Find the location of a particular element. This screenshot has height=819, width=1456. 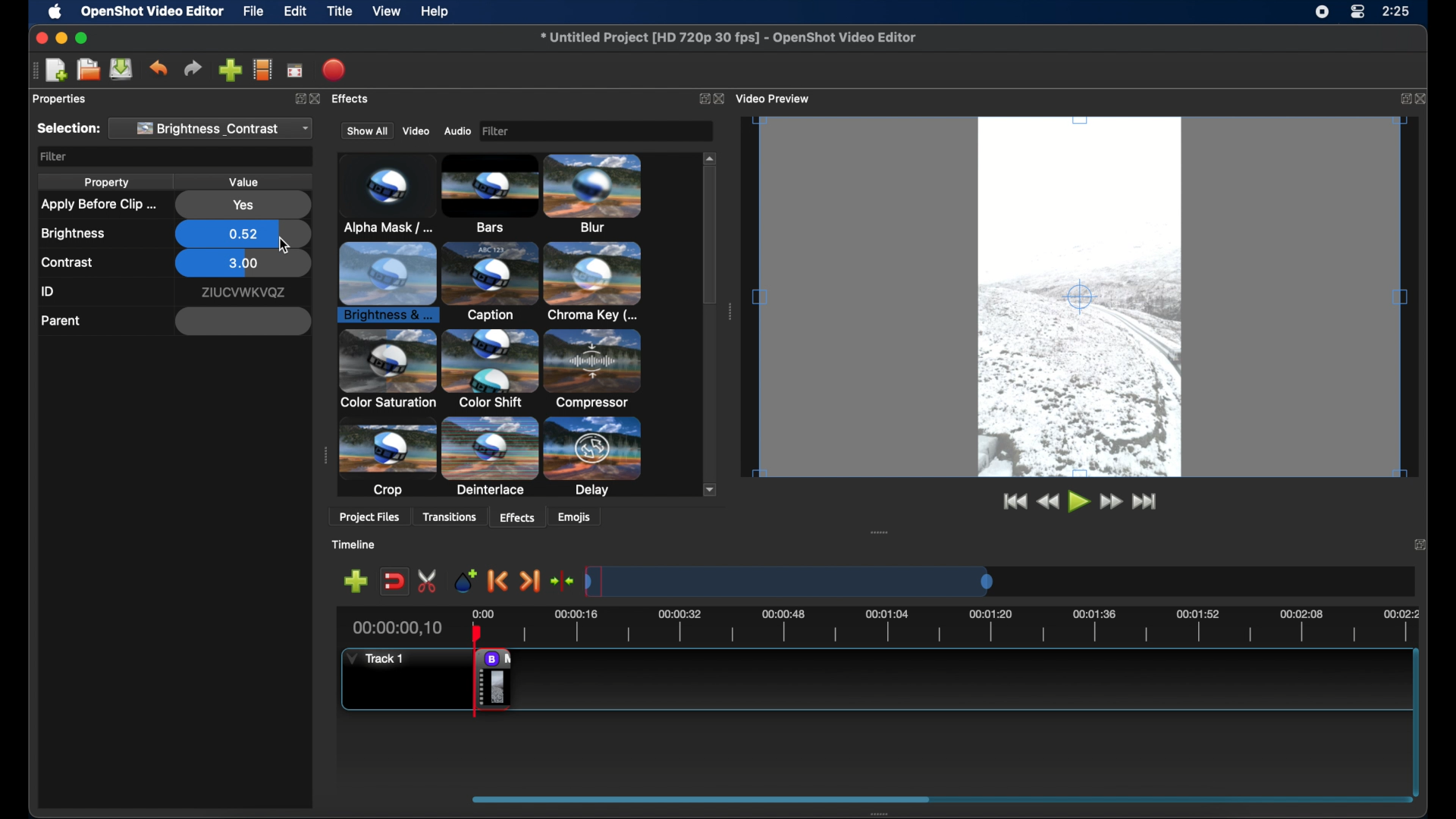

save project files is located at coordinates (121, 69).